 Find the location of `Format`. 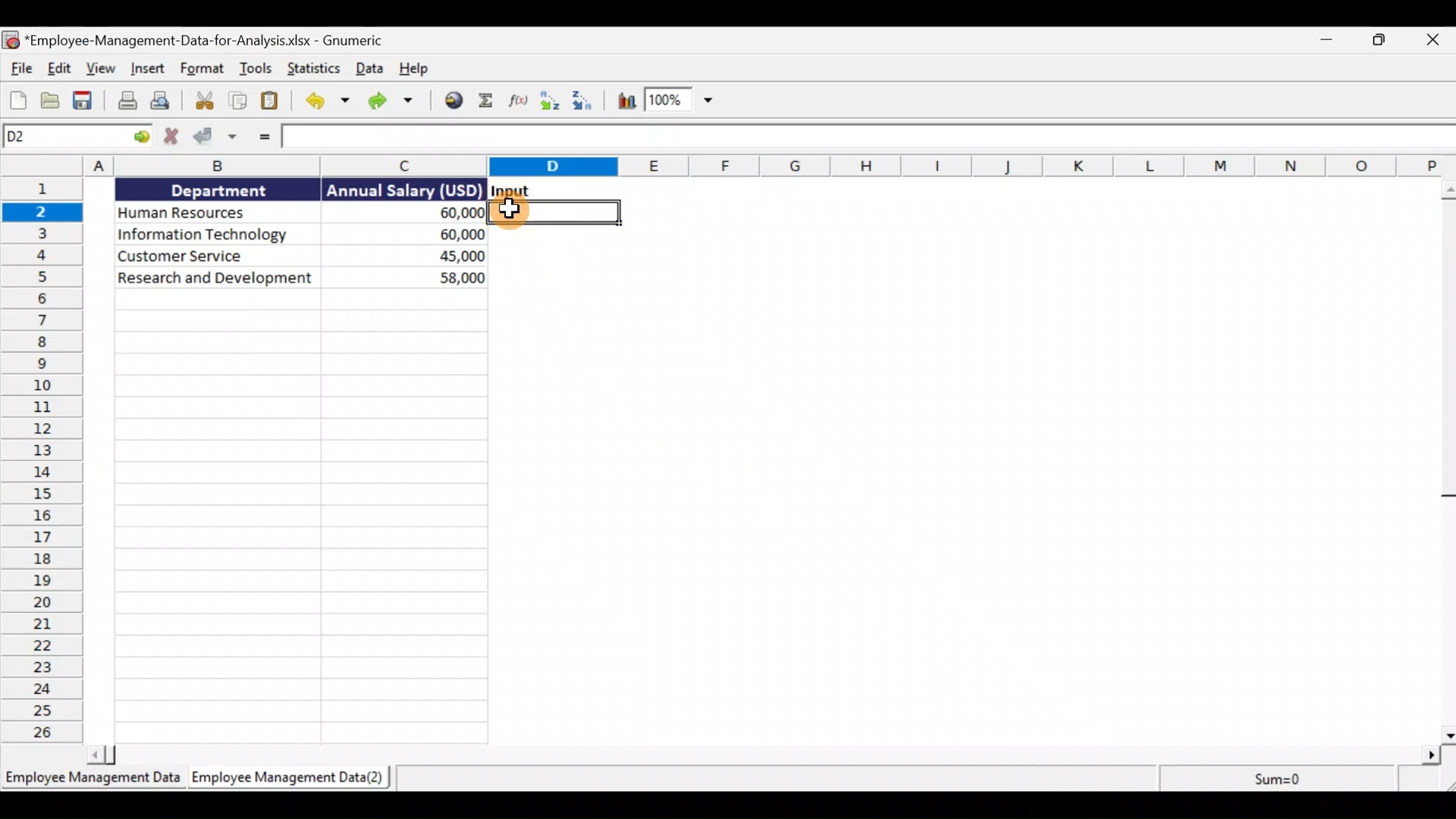

Format is located at coordinates (202, 69).